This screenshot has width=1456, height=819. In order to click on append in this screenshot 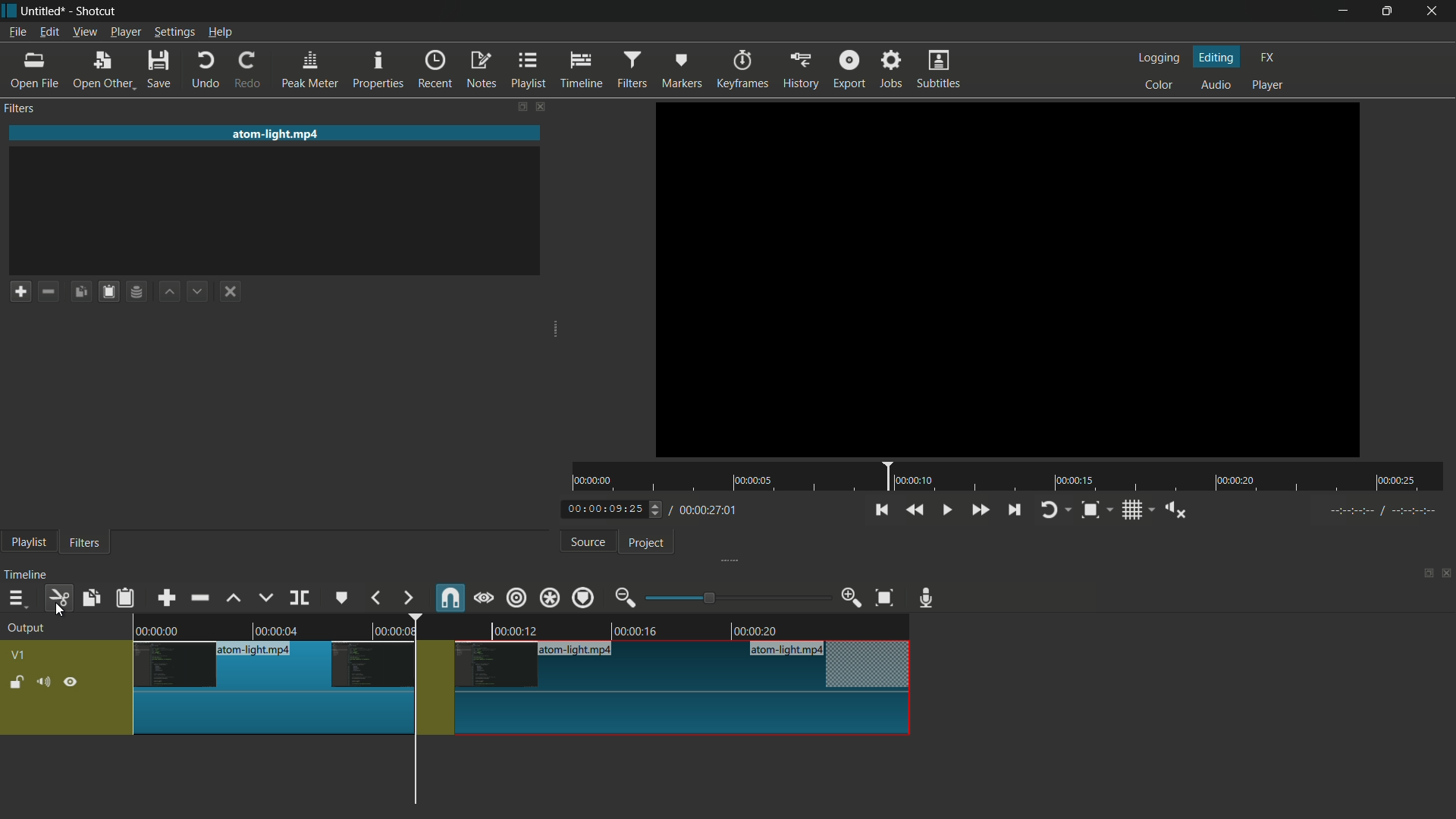, I will do `click(169, 597)`.